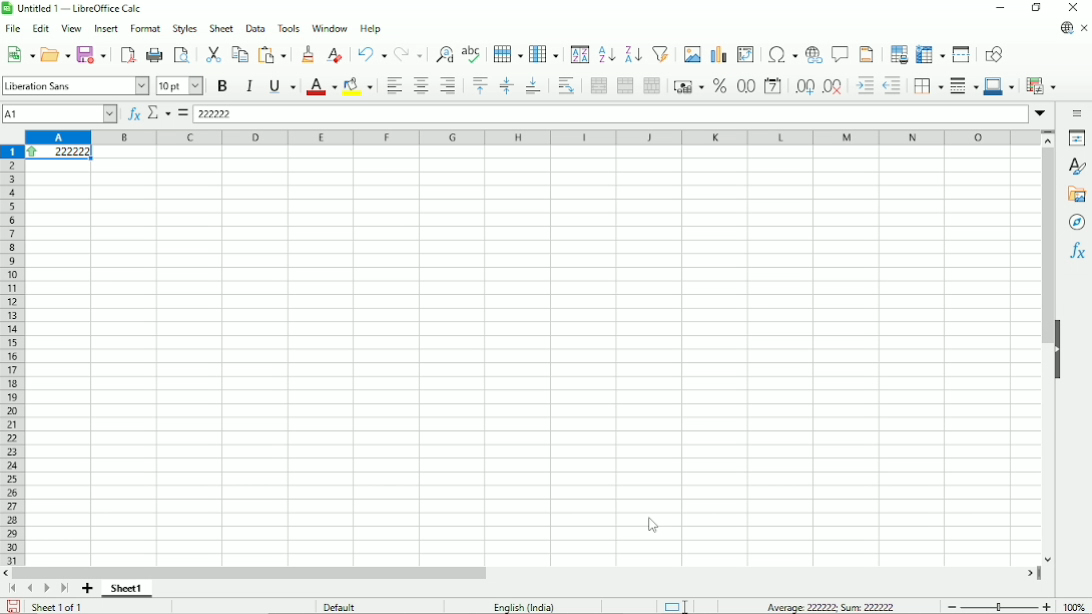 This screenshot has height=614, width=1092. Describe the element at coordinates (1046, 606) in the screenshot. I see `Zoom in` at that location.